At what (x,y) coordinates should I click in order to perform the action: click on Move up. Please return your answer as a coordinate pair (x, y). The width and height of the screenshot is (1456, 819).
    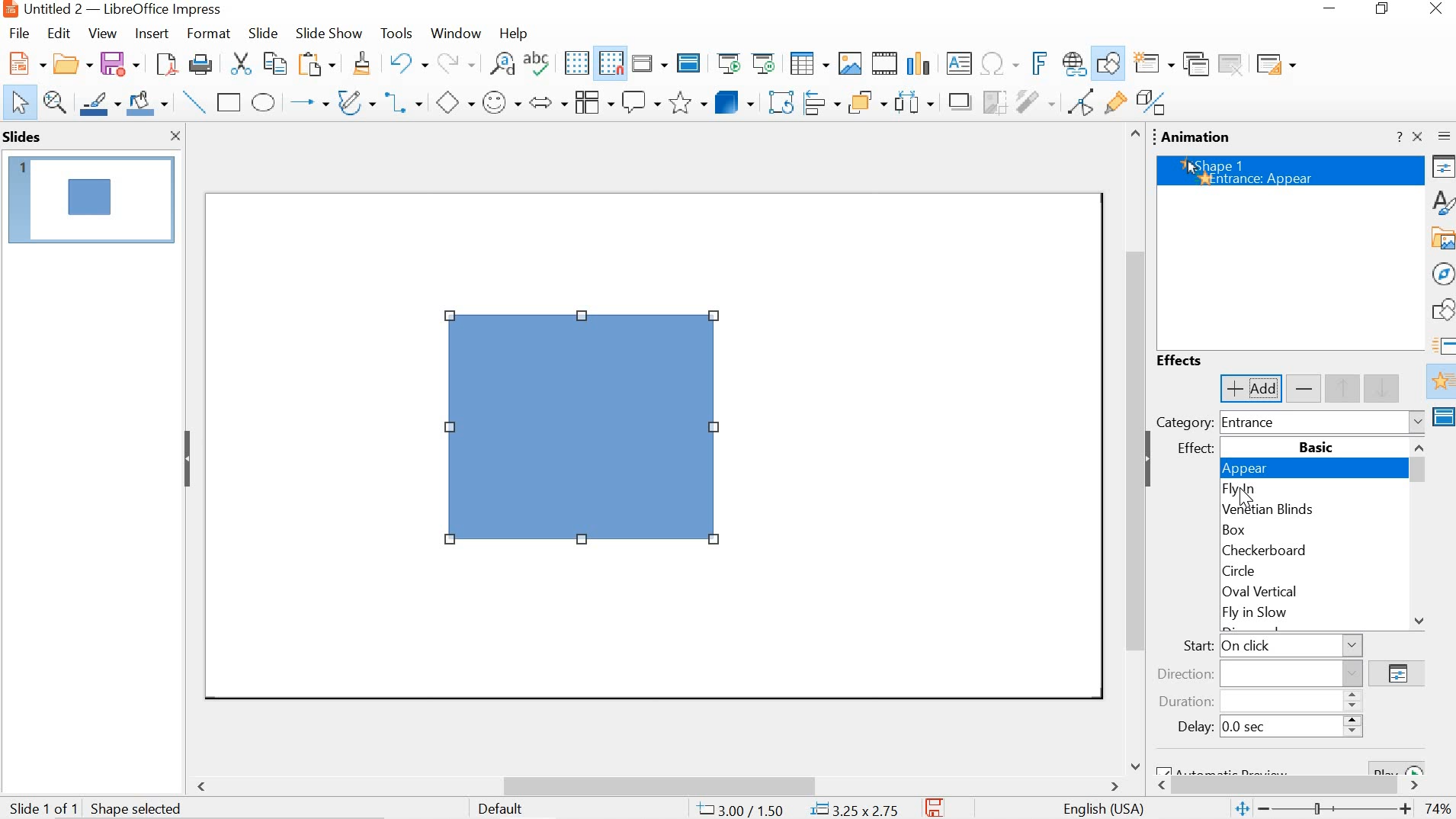
    Looking at the image, I should click on (1134, 134).